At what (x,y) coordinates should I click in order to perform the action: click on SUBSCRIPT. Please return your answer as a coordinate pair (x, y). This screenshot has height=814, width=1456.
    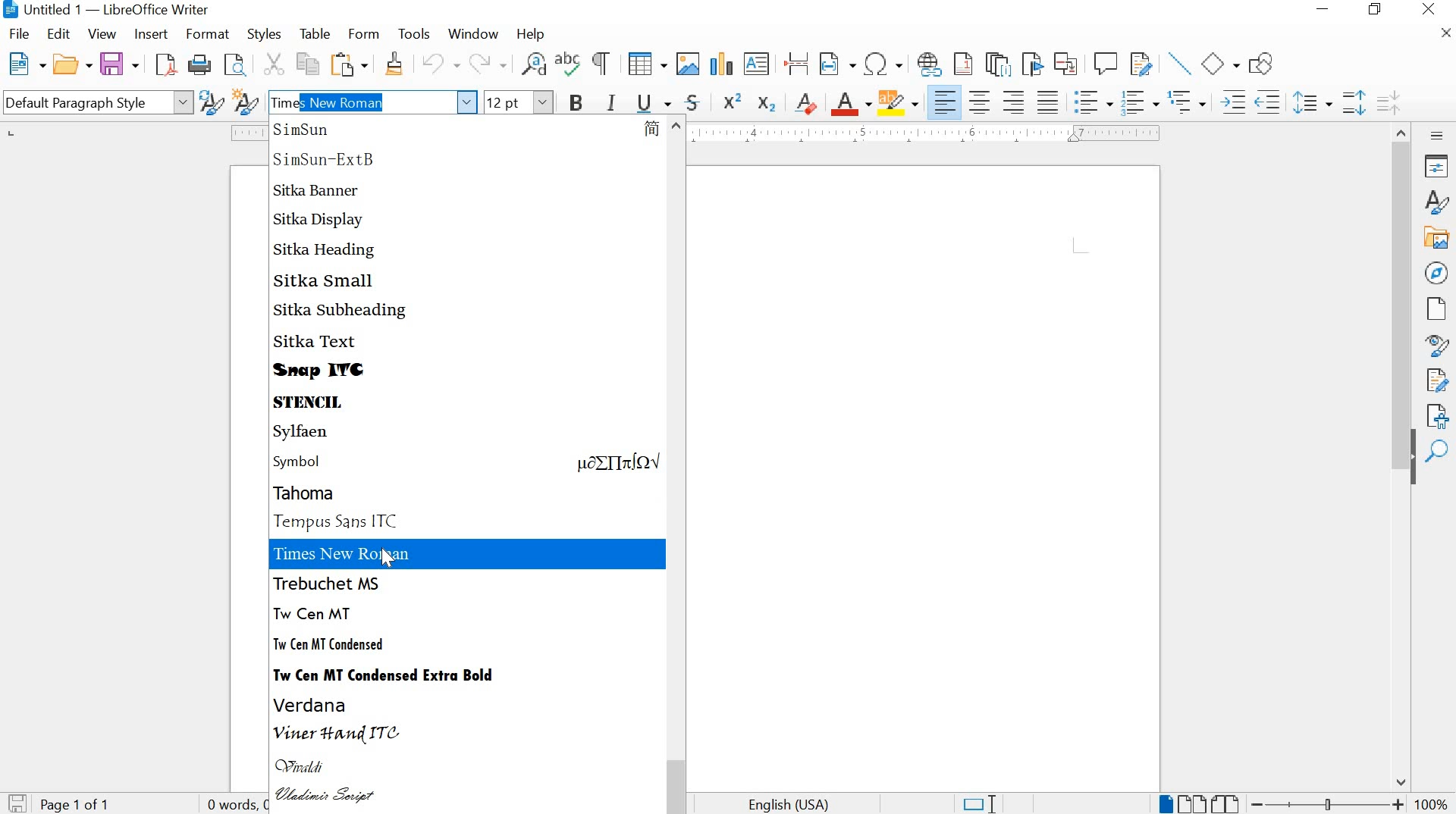
    Looking at the image, I should click on (767, 102).